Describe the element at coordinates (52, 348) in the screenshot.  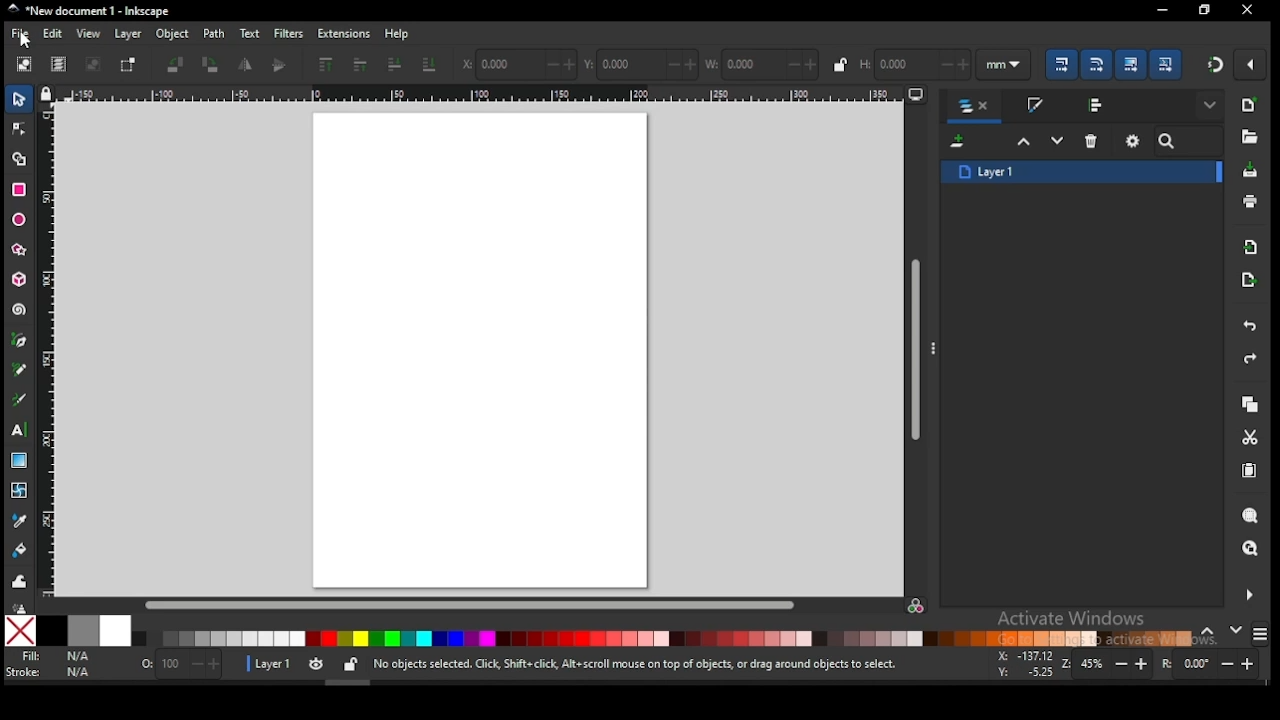
I see `vertical ruler` at that location.